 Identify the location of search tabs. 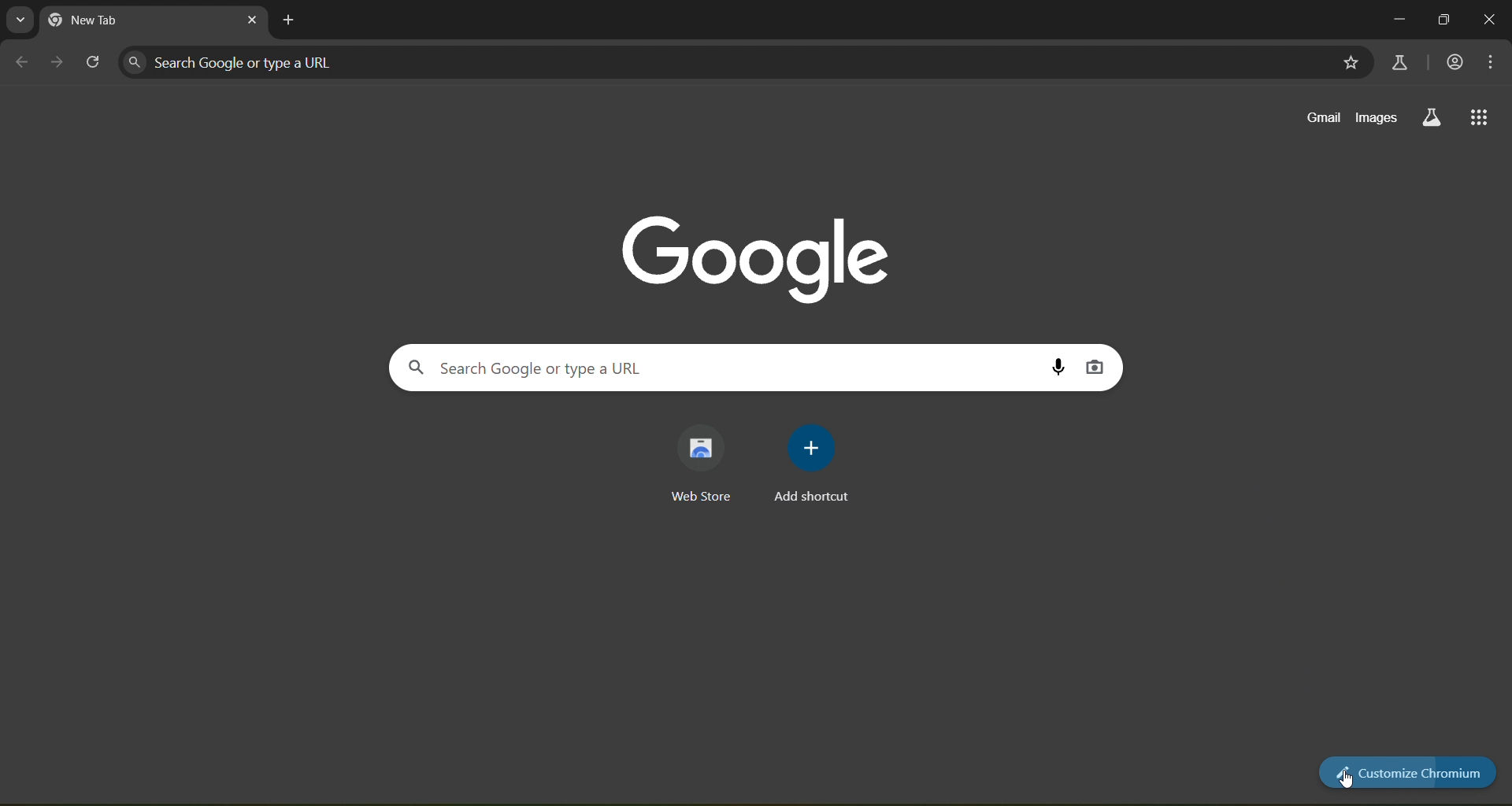
(20, 19).